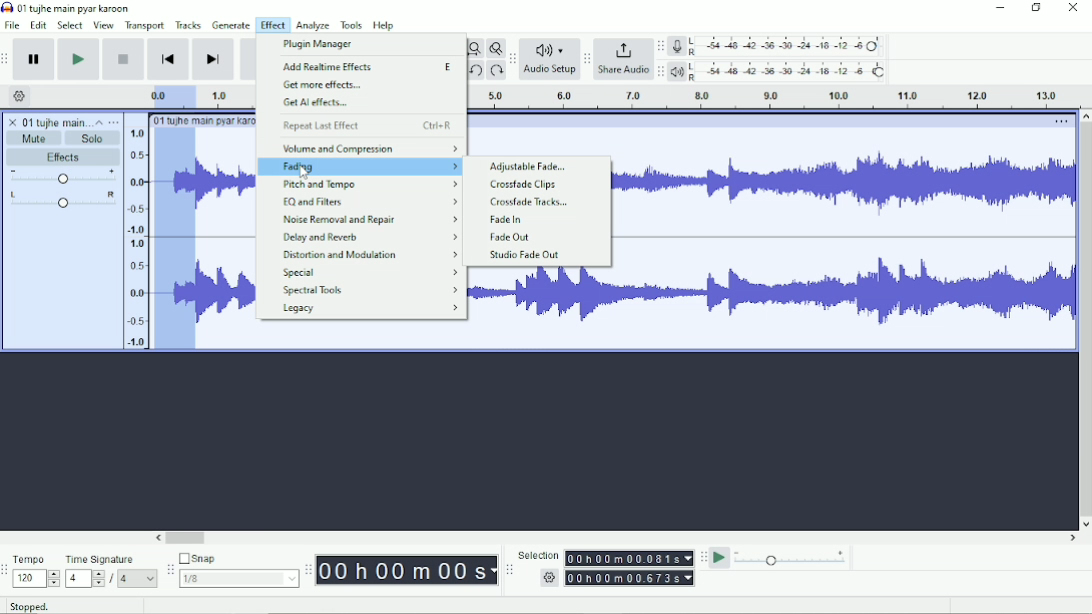 The image size is (1092, 614). Describe the element at coordinates (304, 171) in the screenshot. I see `Cursor` at that location.